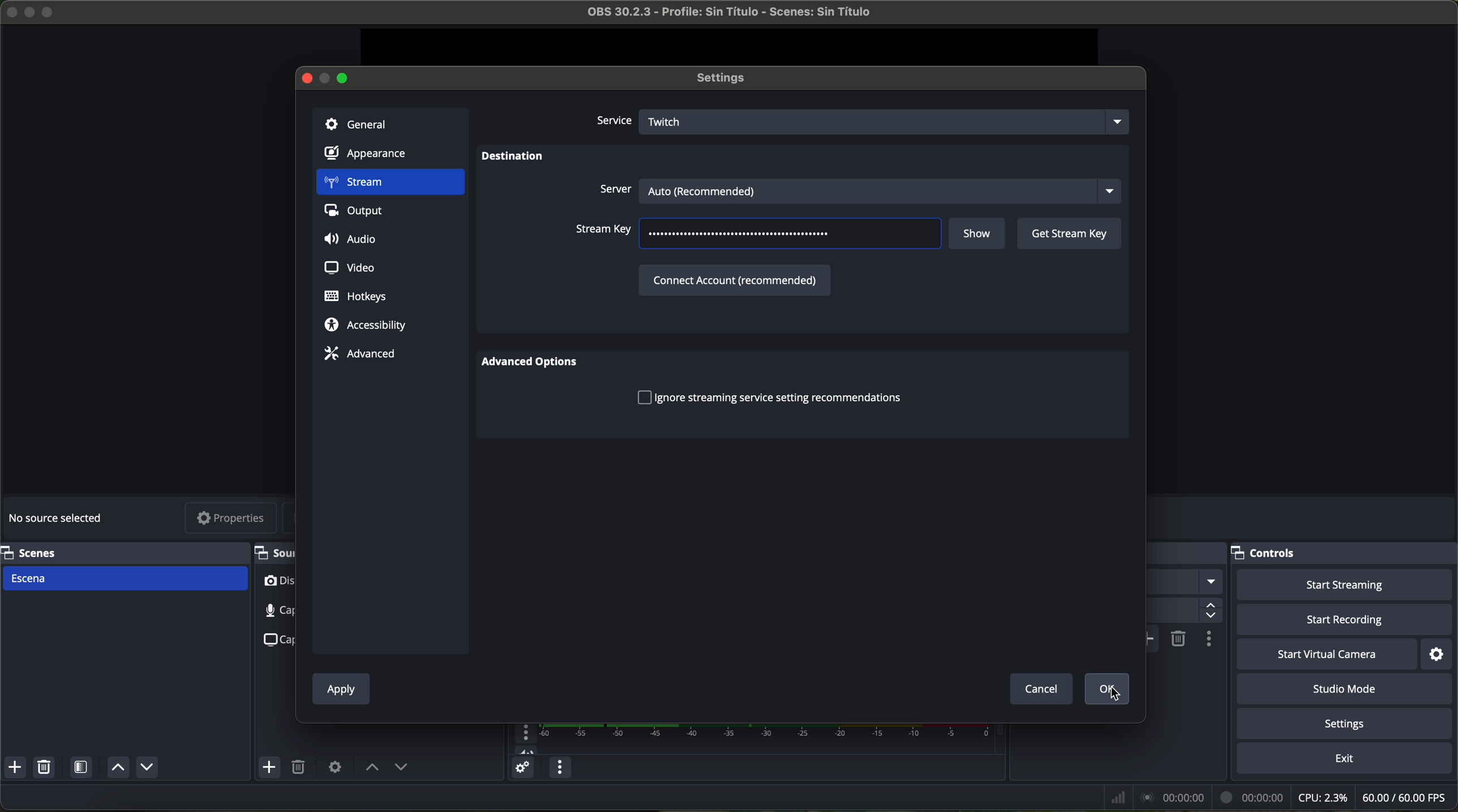 The image size is (1458, 812). Describe the element at coordinates (1277, 797) in the screenshot. I see `data` at that location.